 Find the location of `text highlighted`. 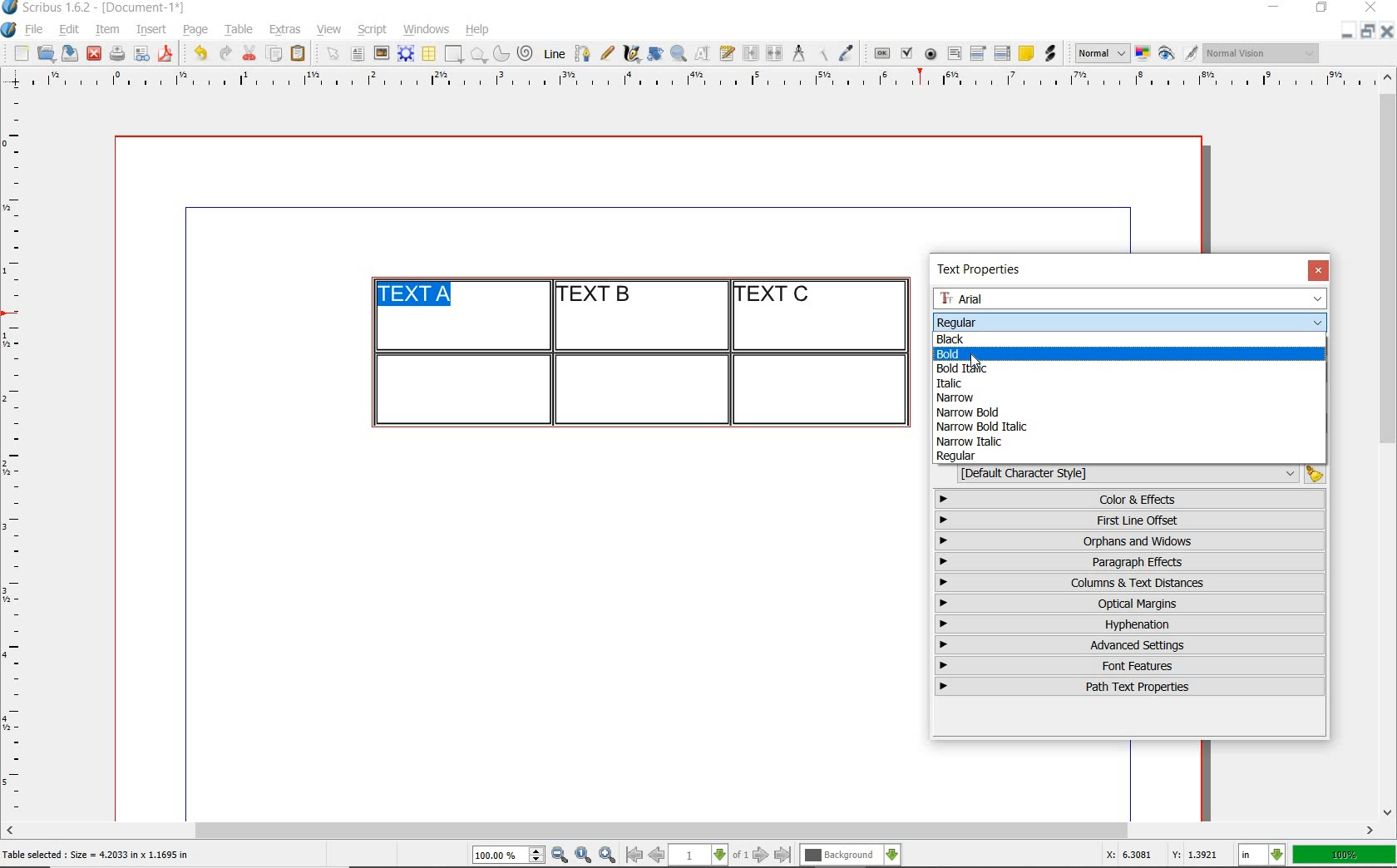

text highlighted is located at coordinates (415, 296).